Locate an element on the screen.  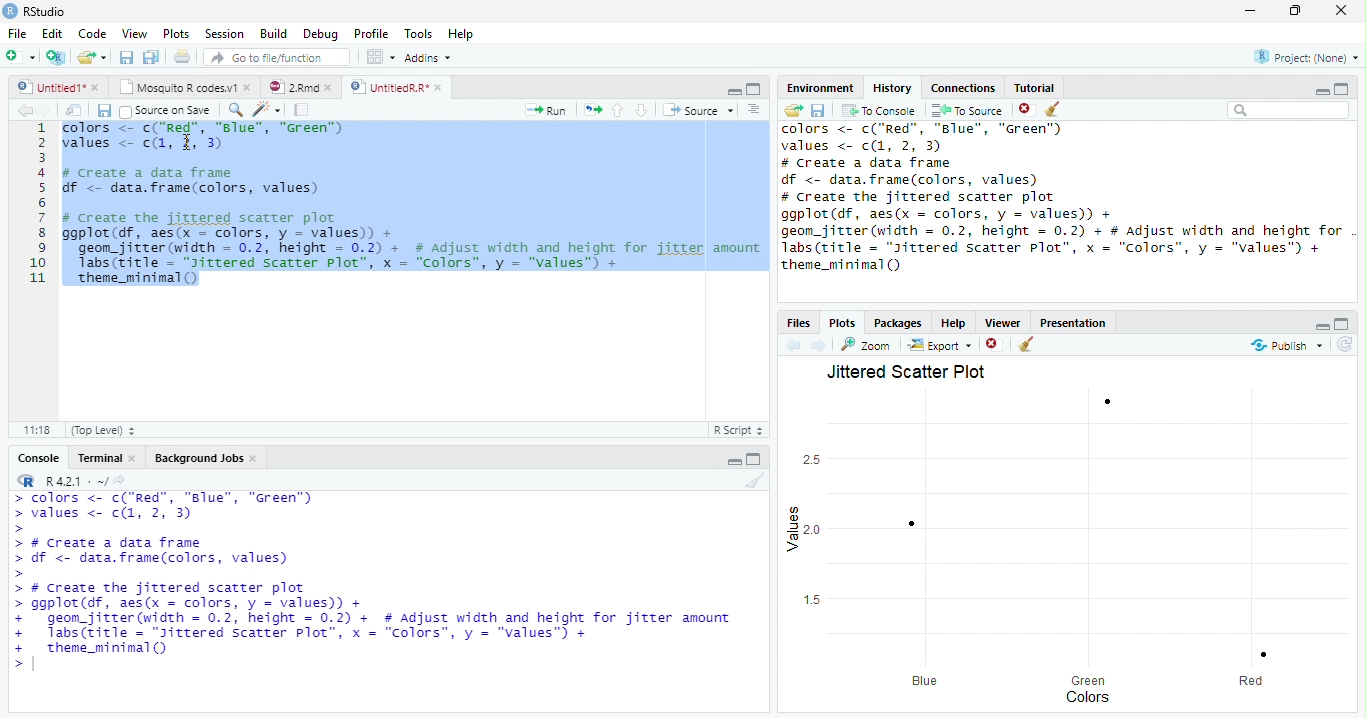
cursor is located at coordinates (187, 142).